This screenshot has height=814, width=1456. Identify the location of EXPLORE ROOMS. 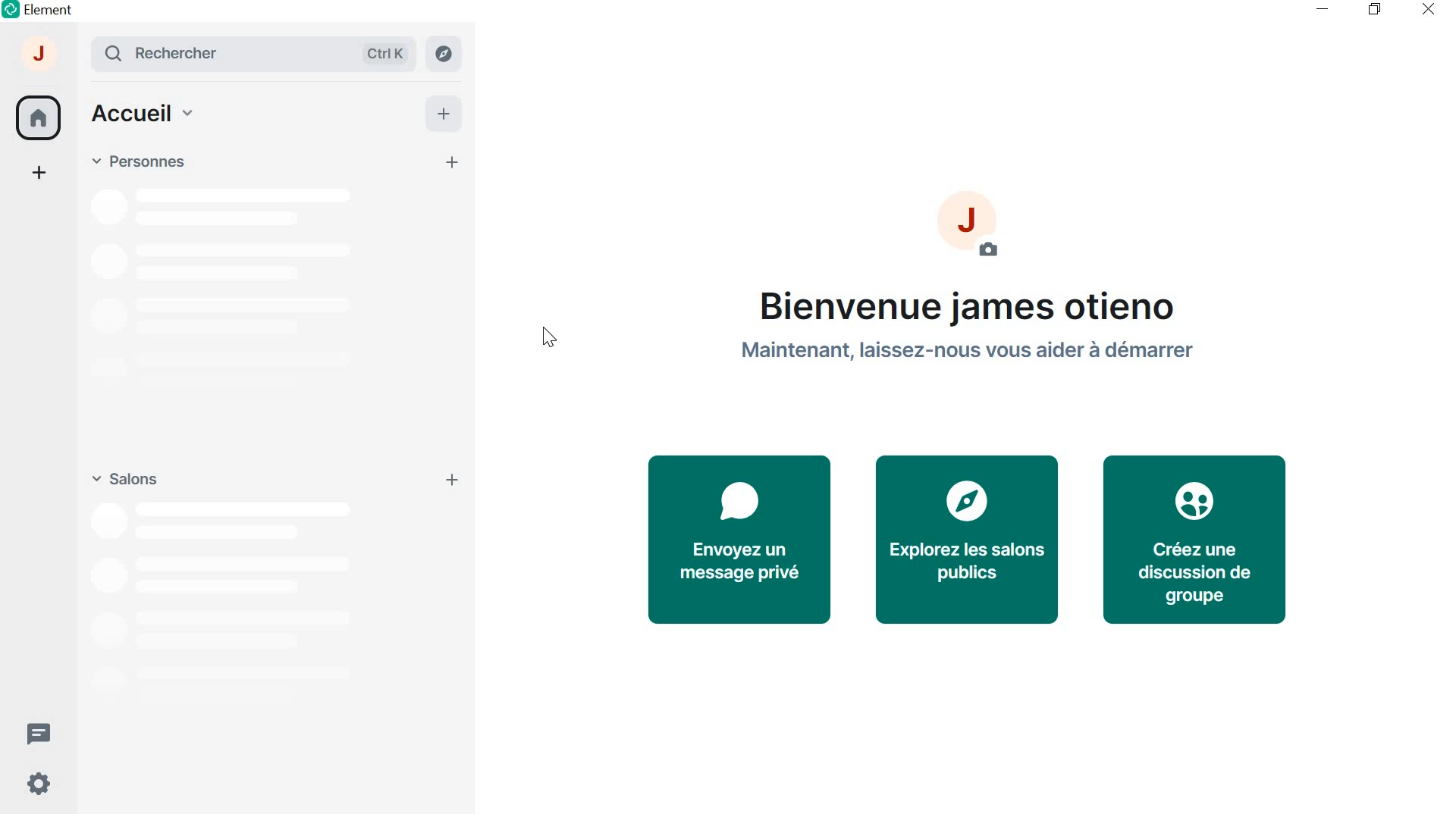
(445, 54).